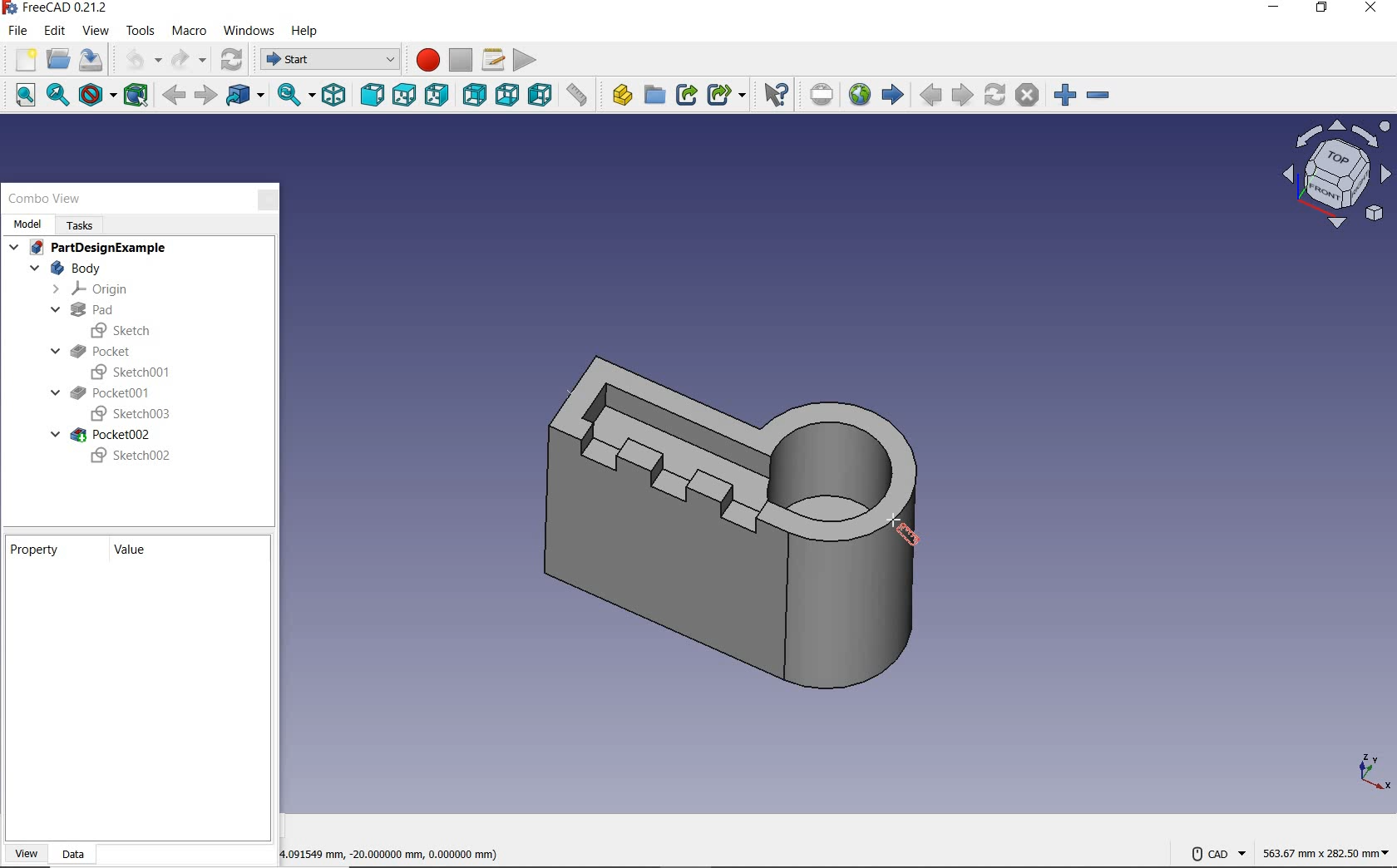 Image resolution: width=1397 pixels, height=868 pixels. What do you see at coordinates (58, 60) in the screenshot?
I see `open` at bounding box center [58, 60].